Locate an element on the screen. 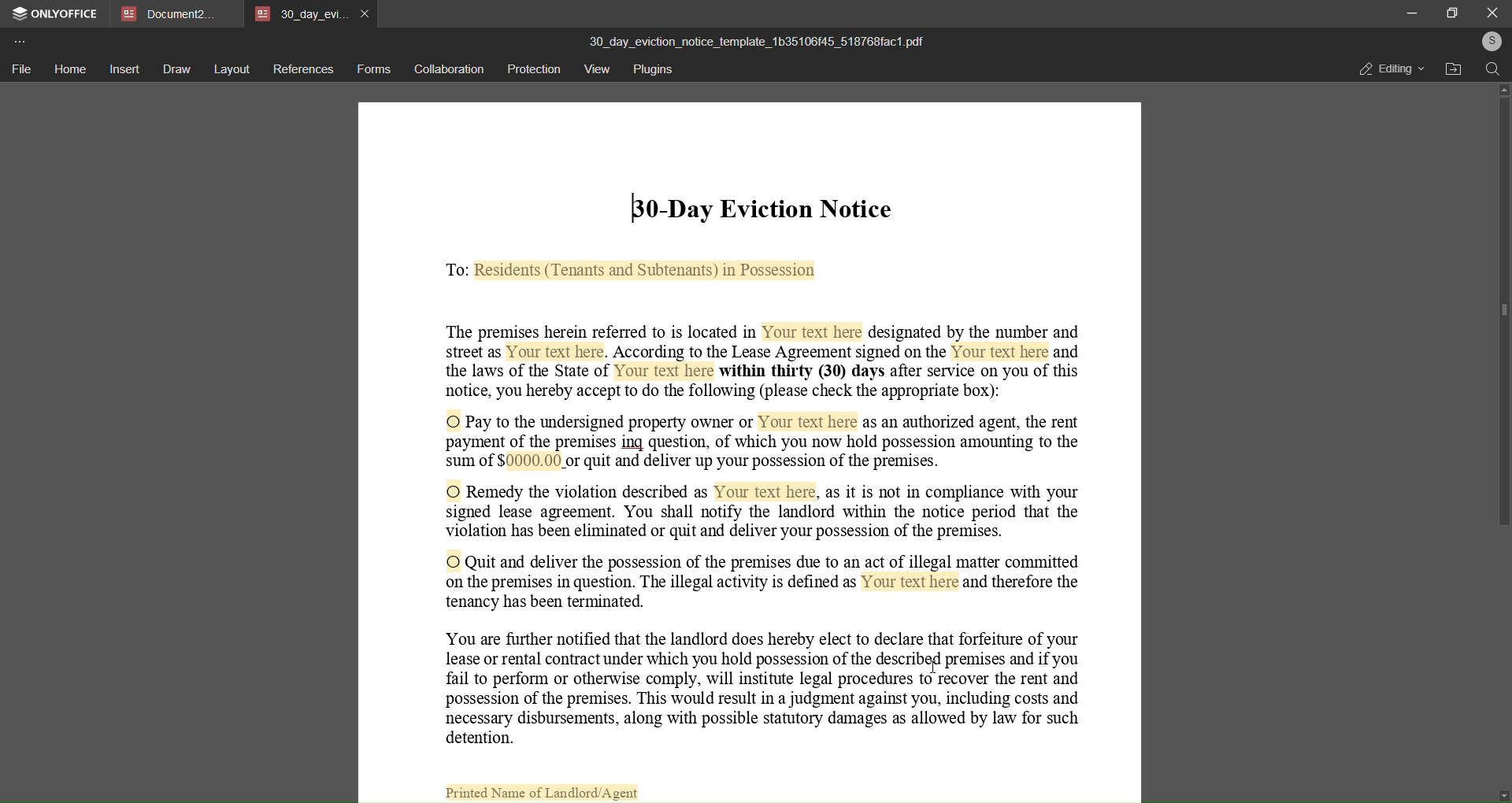 The height and width of the screenshot is (803, 1512). file location is located at coordinates (1455, 70).